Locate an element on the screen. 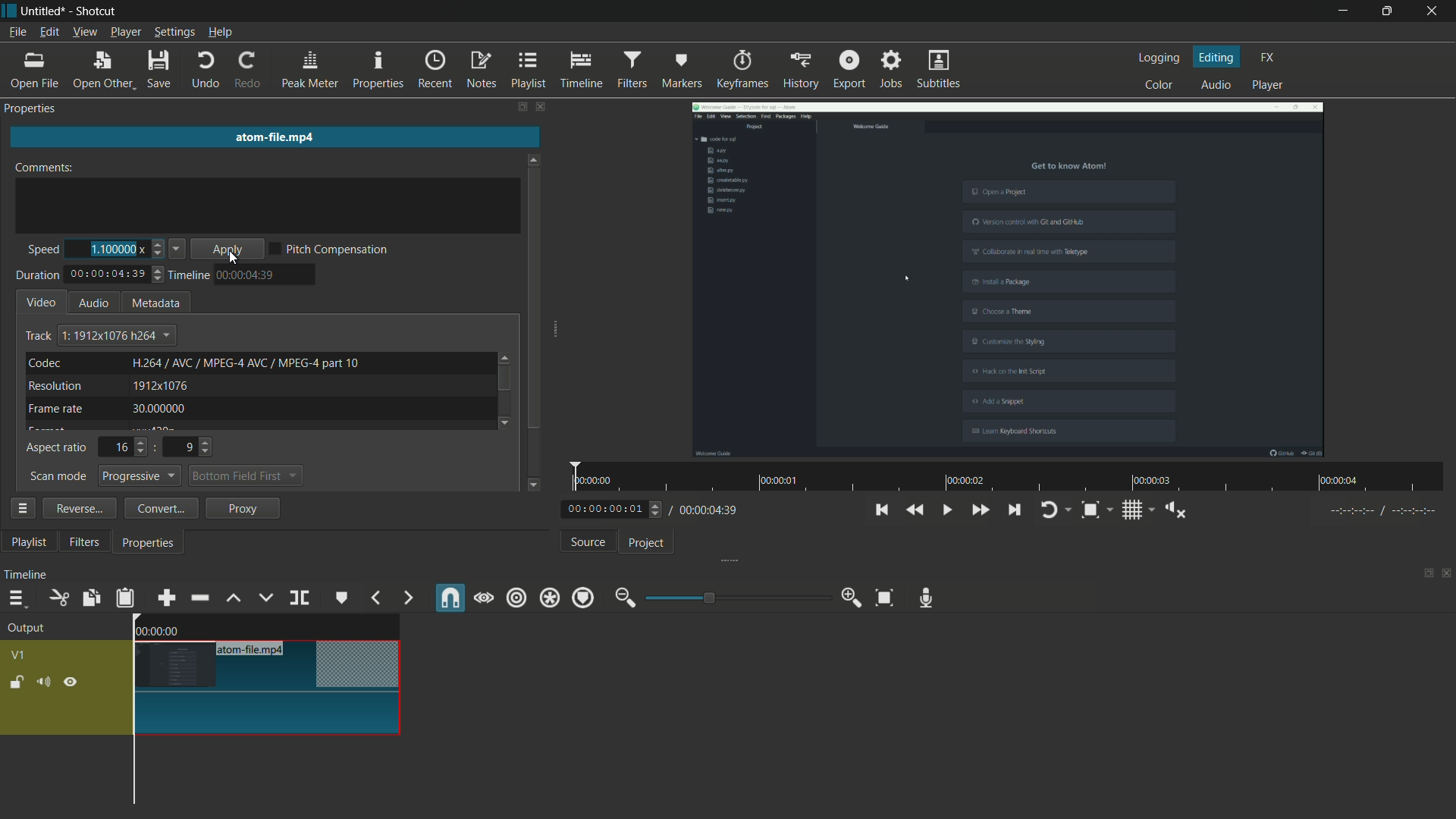 This screenshot has width=1456, height=819. redo is located at coordinates (249, 69).